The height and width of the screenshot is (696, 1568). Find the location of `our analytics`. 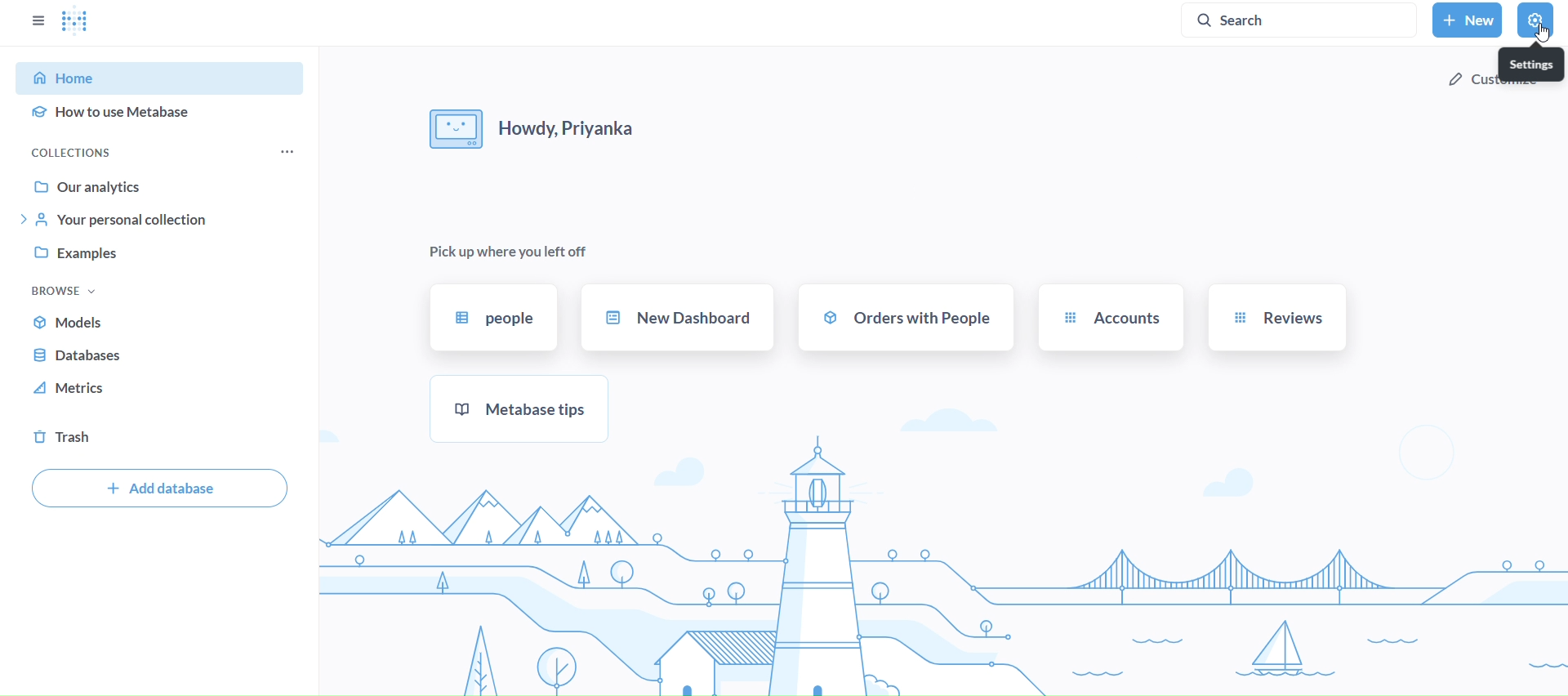

our analytics is located at coordinates (163, 185).